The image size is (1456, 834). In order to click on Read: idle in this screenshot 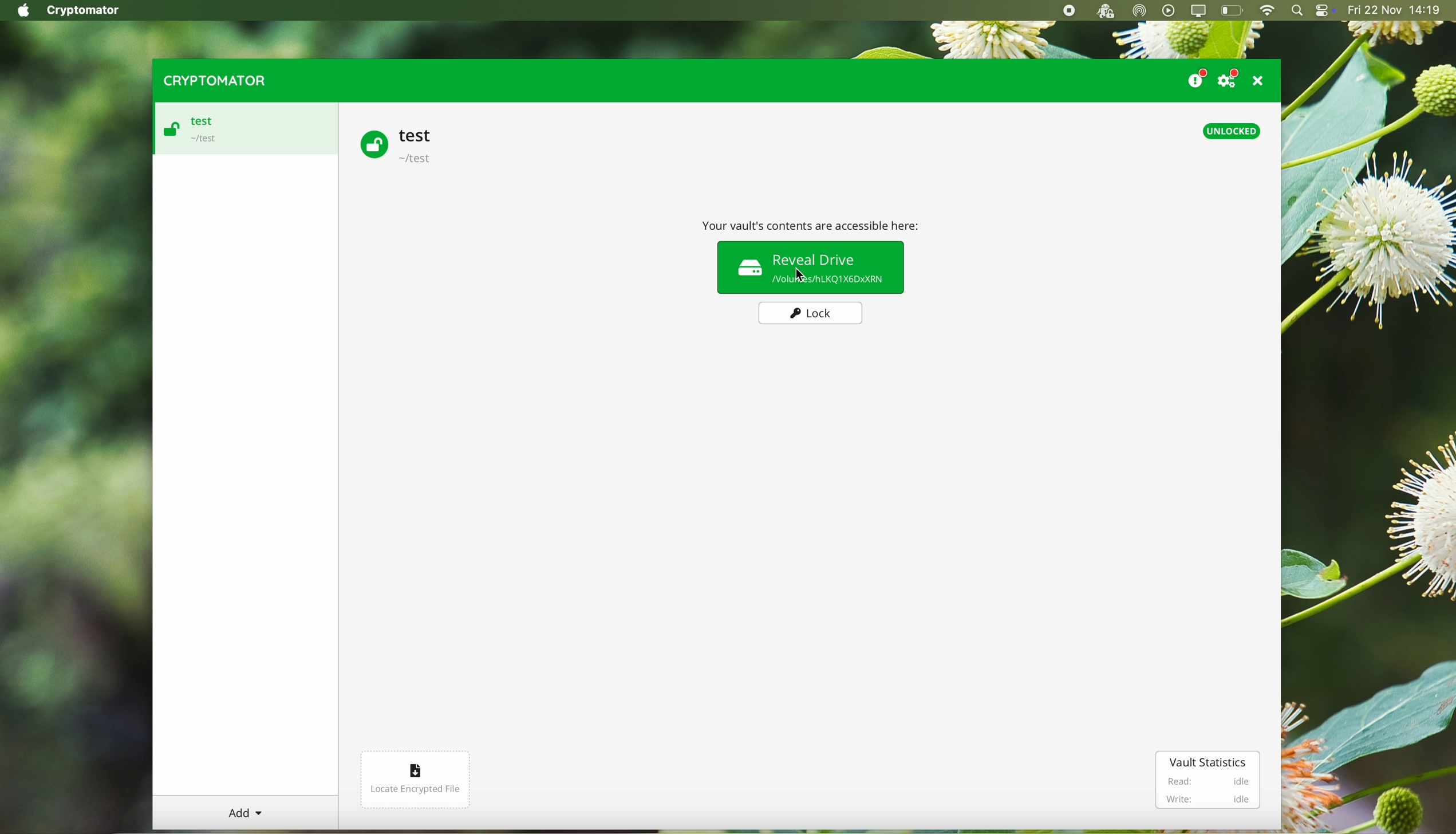, I will do `click(1201, 781)`.